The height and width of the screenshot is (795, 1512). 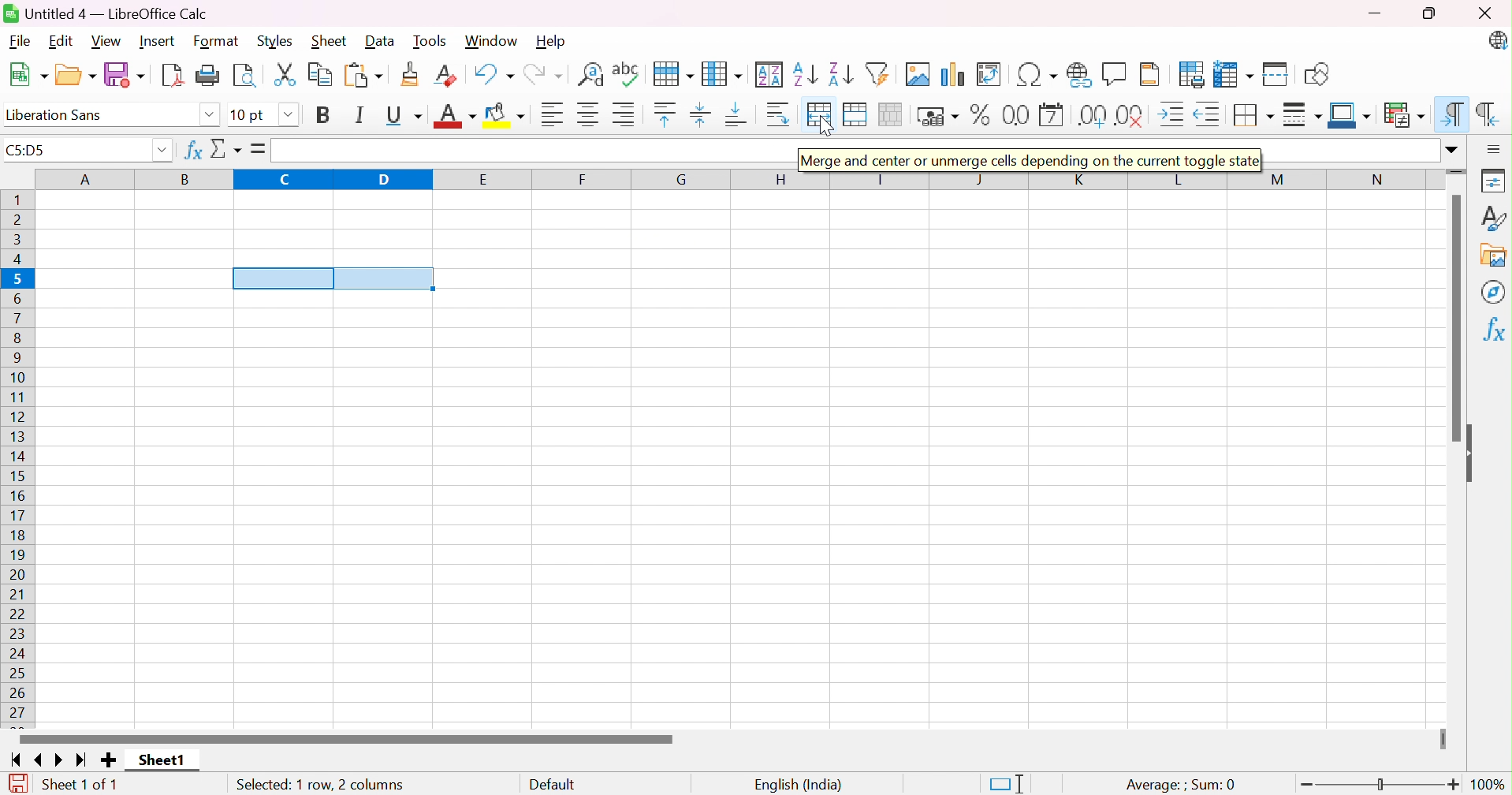 What do you see at coordinates (18, 42) in the screenshot?
I see `File` at bounding box center [18, 42].